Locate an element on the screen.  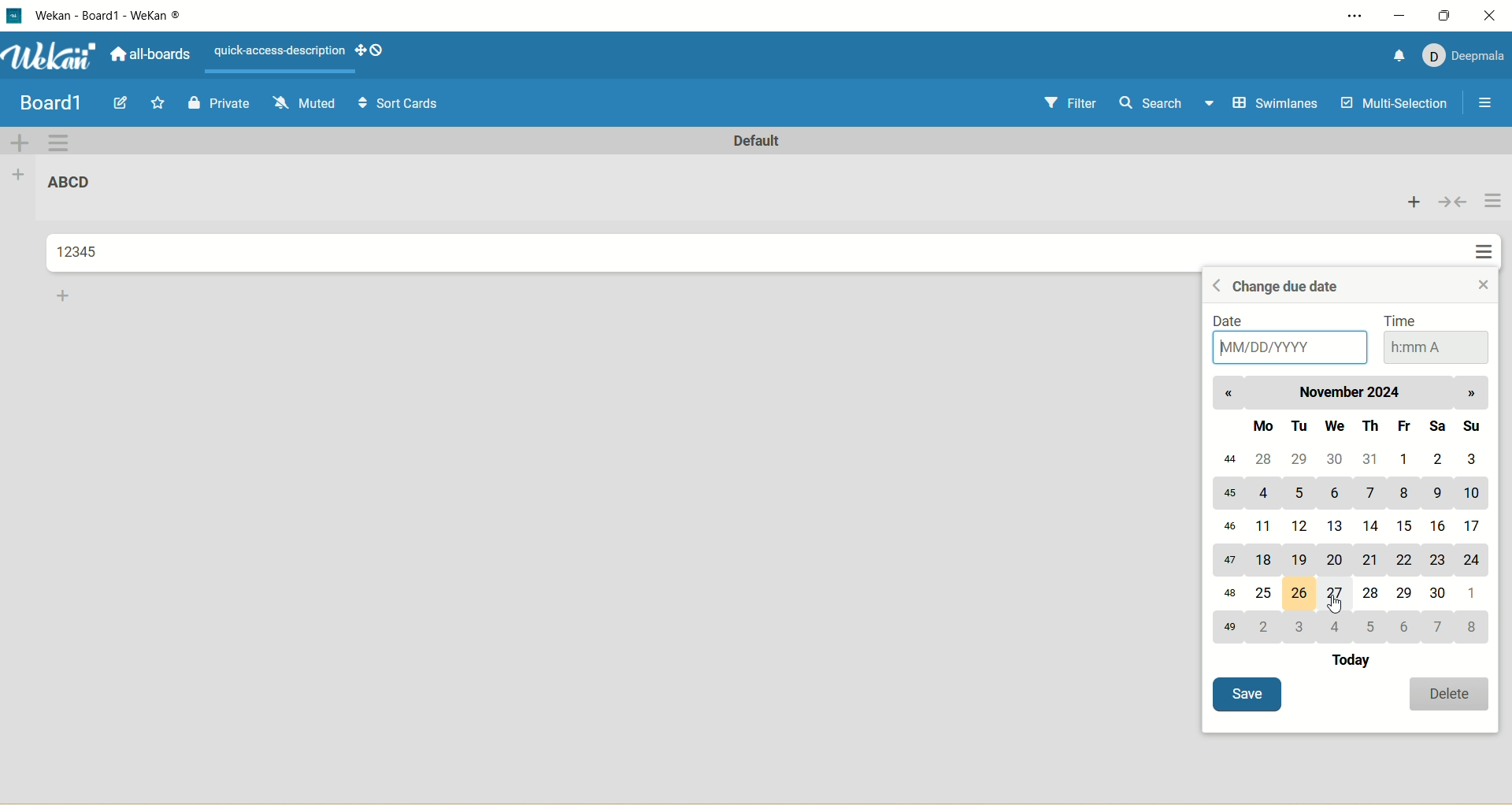
close is located at coordinates (1480, 286).